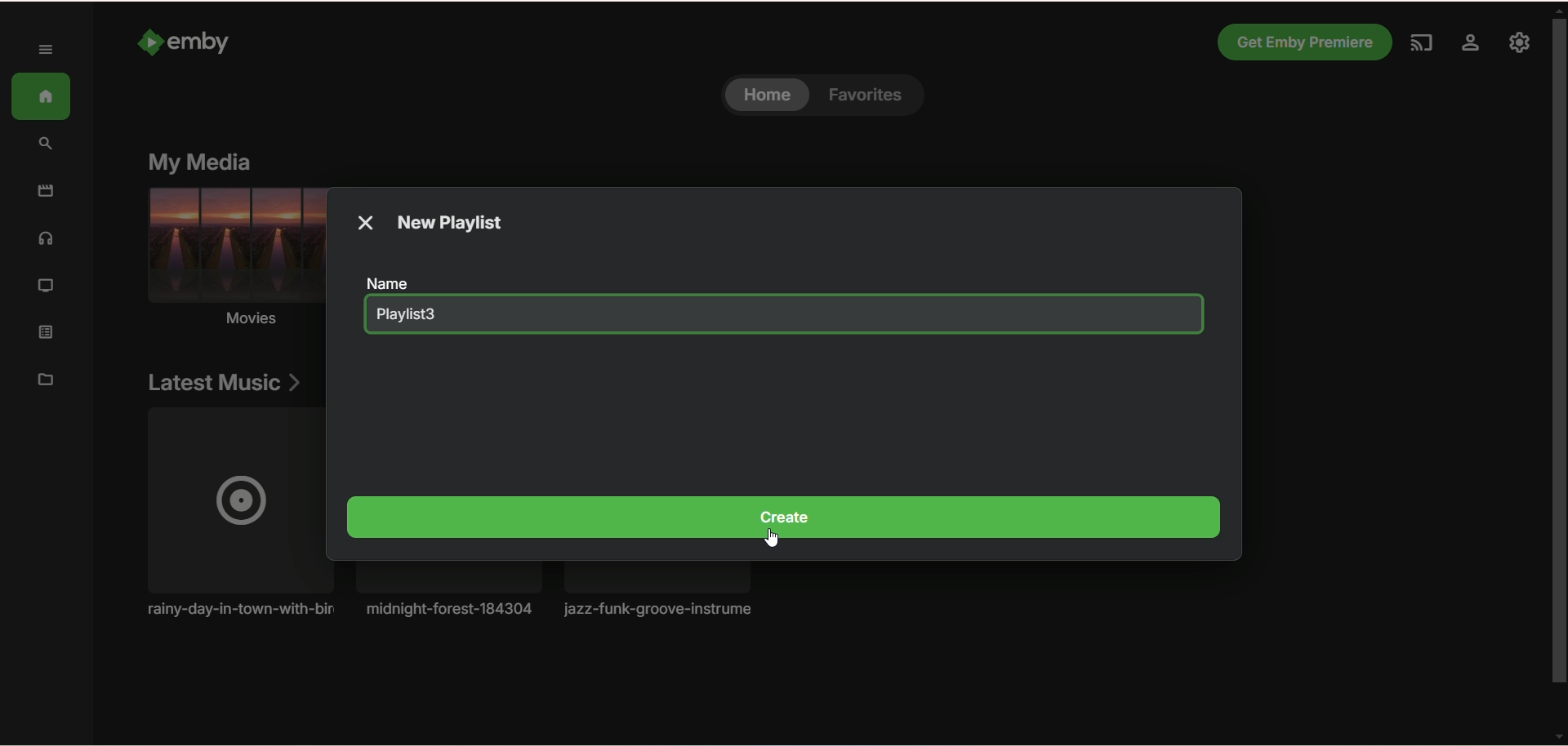  I want to click on favorites, so click(871, 96).